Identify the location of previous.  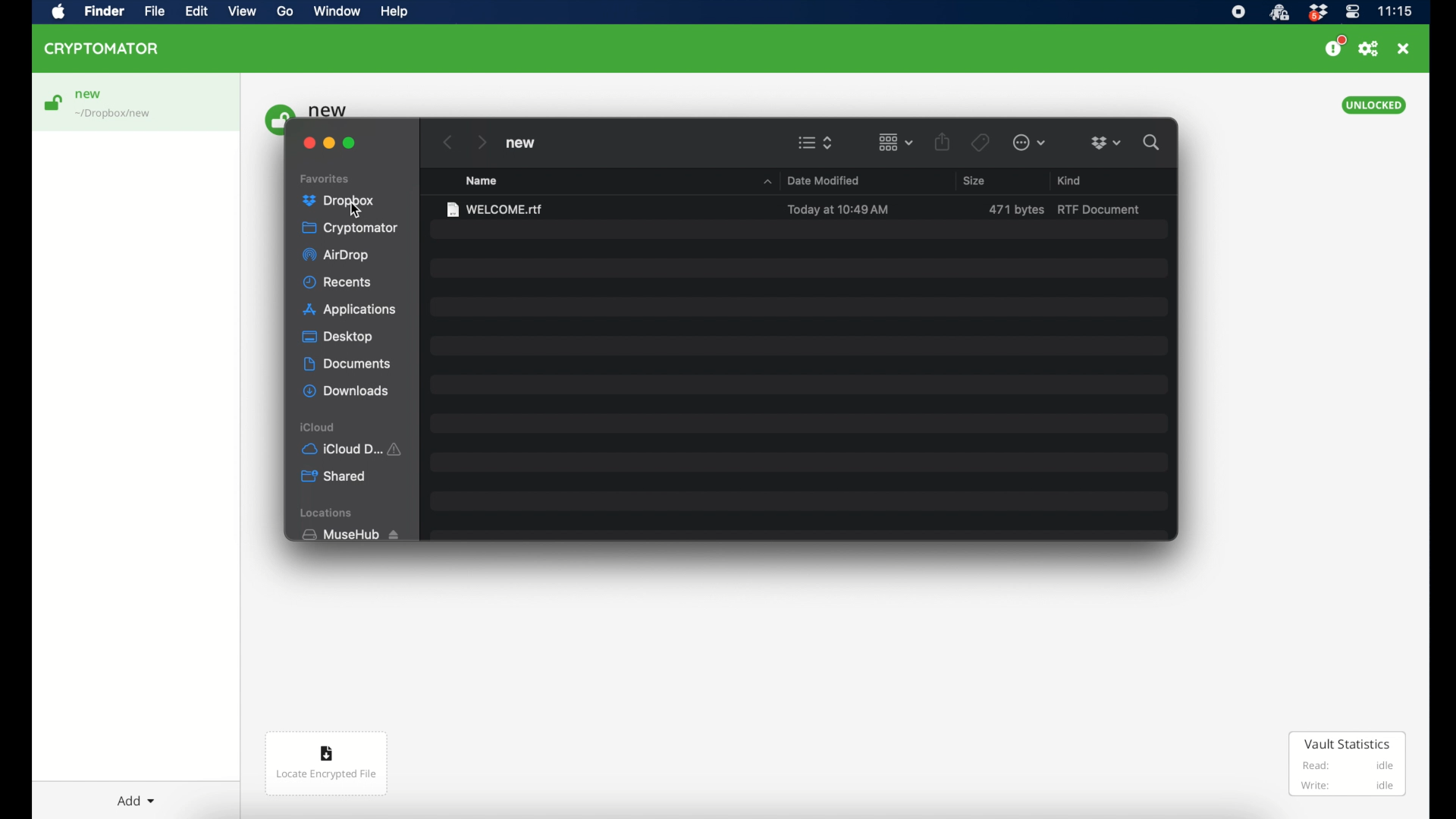
(448, 143).